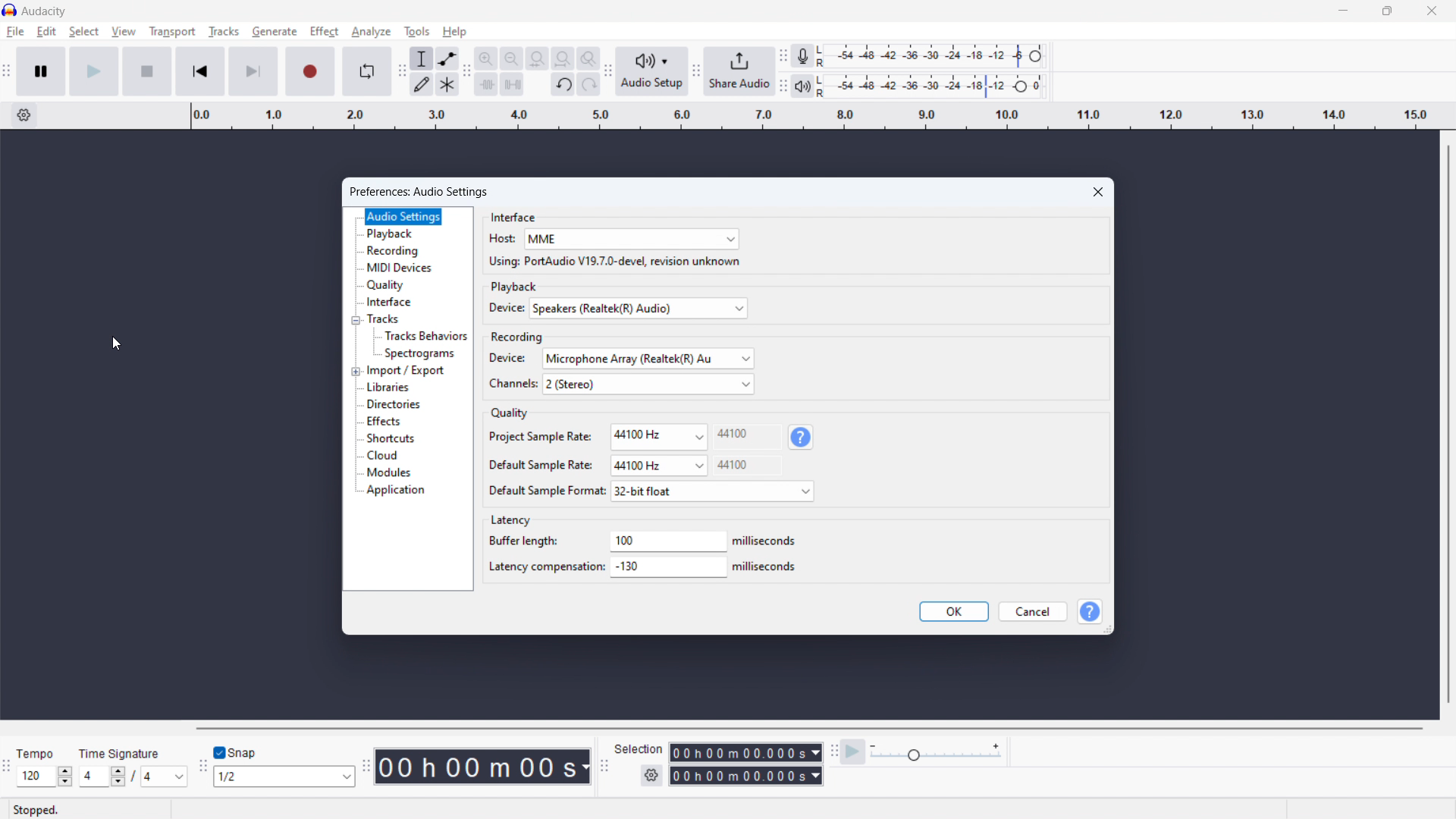 The width and height of the screenshot is (1456, 819). I want to click on Cursor on edit, so click(48, 32).